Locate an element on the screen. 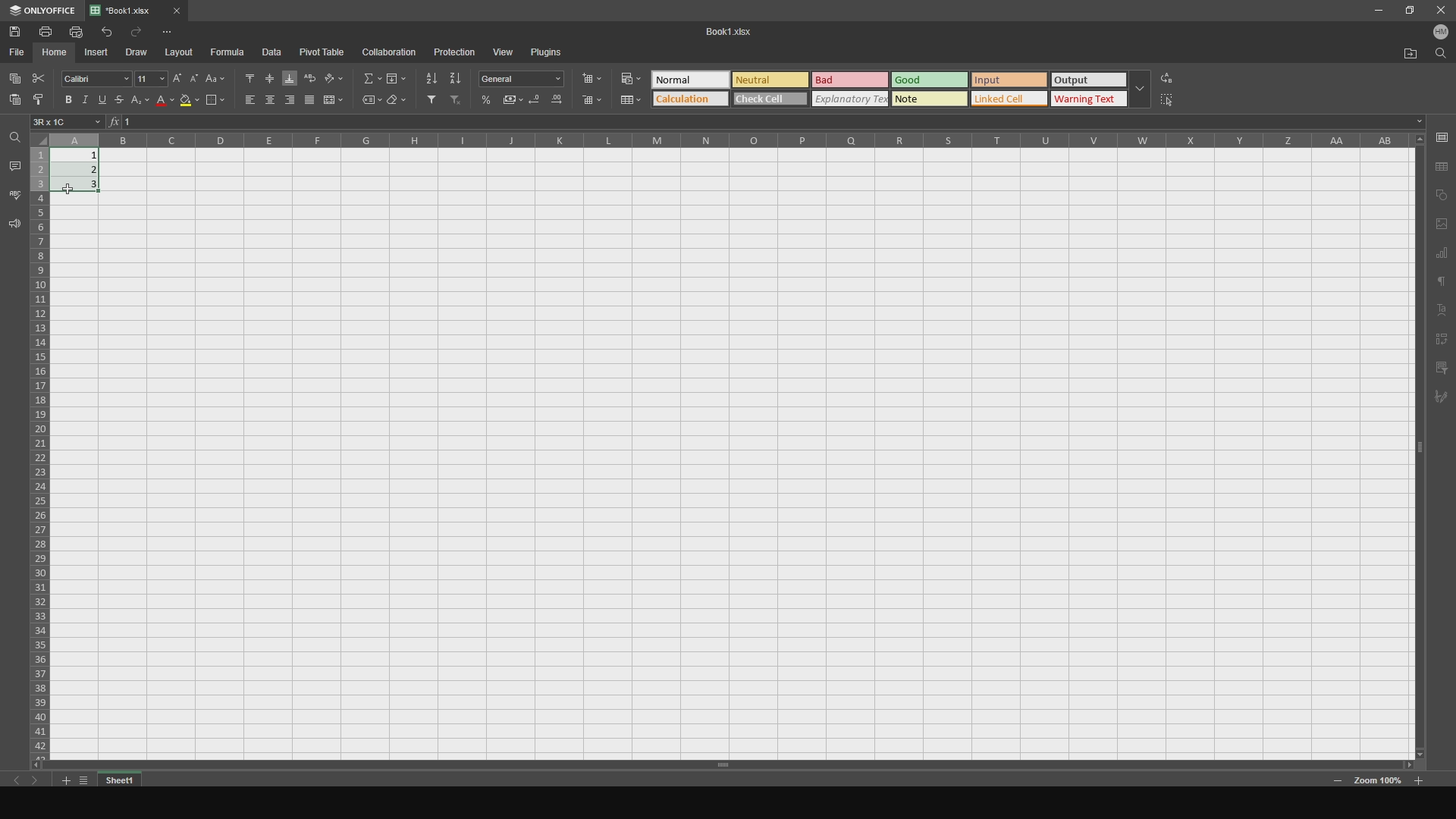 The height and width of the screenshot is (819, 1456). file is located at coordinates (18, 52).